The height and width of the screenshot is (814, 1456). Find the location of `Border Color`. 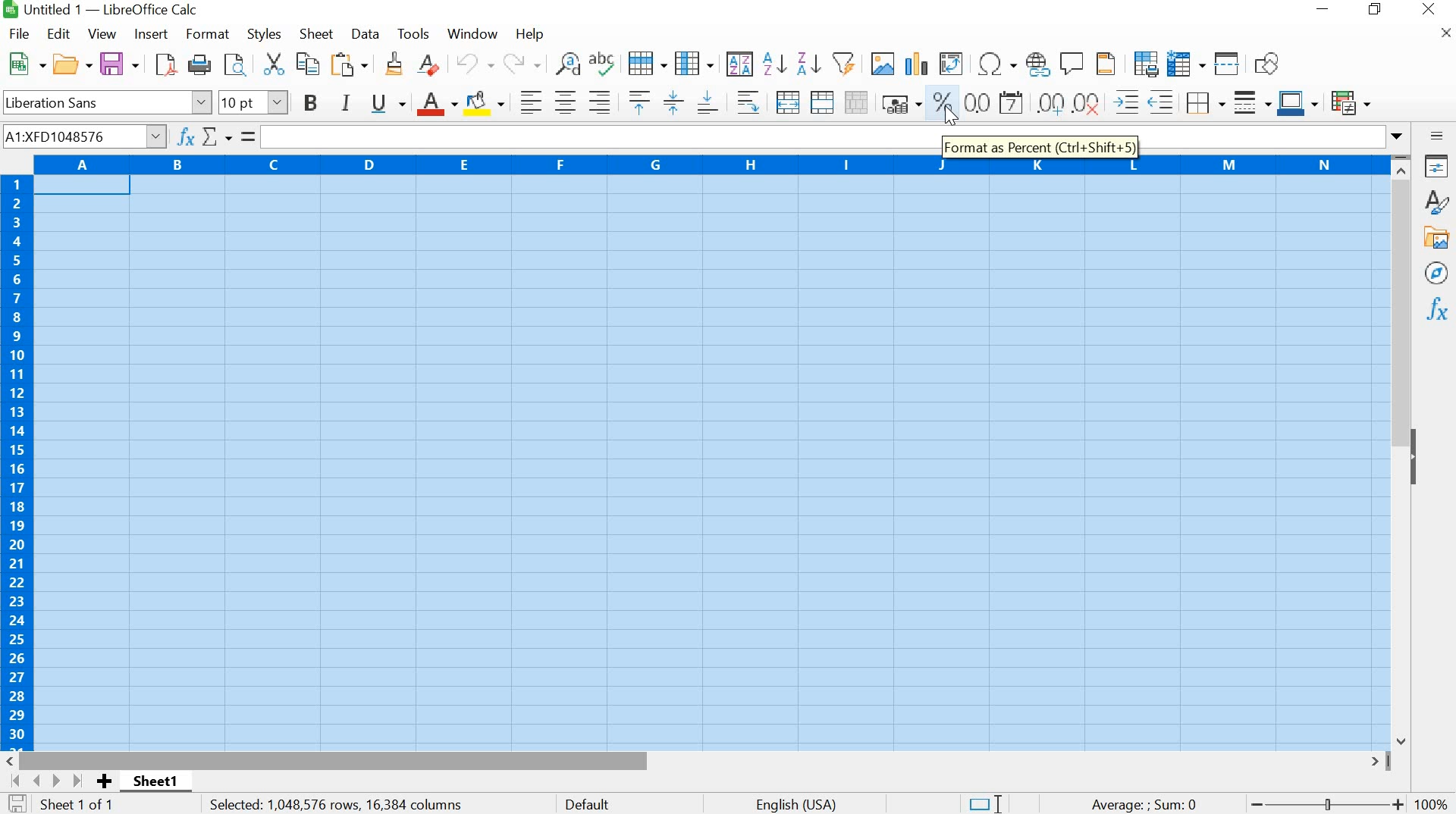

Border Color is located at coordinates (1298, 103).